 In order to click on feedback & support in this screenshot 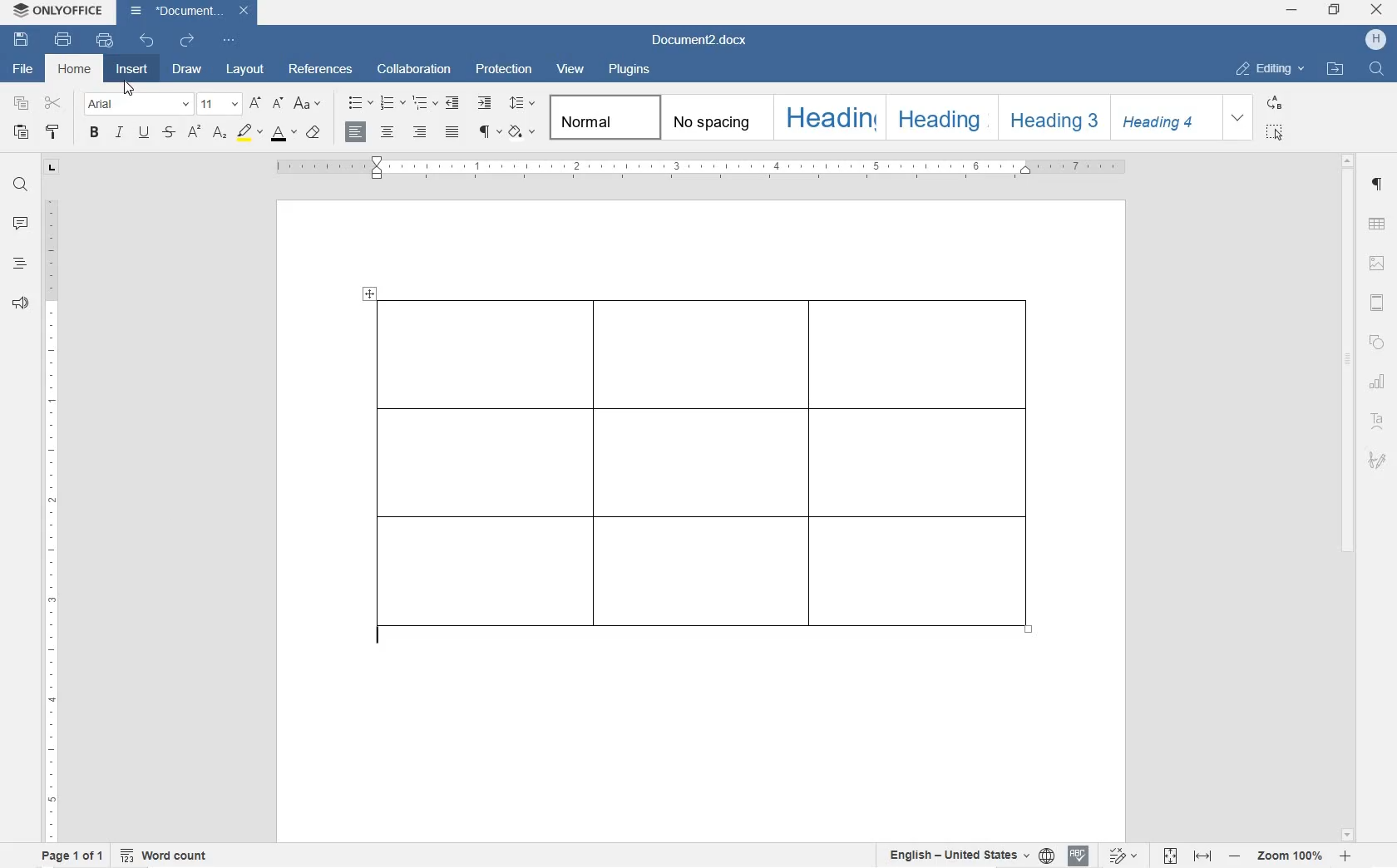, I will do `click(20, 305)`.